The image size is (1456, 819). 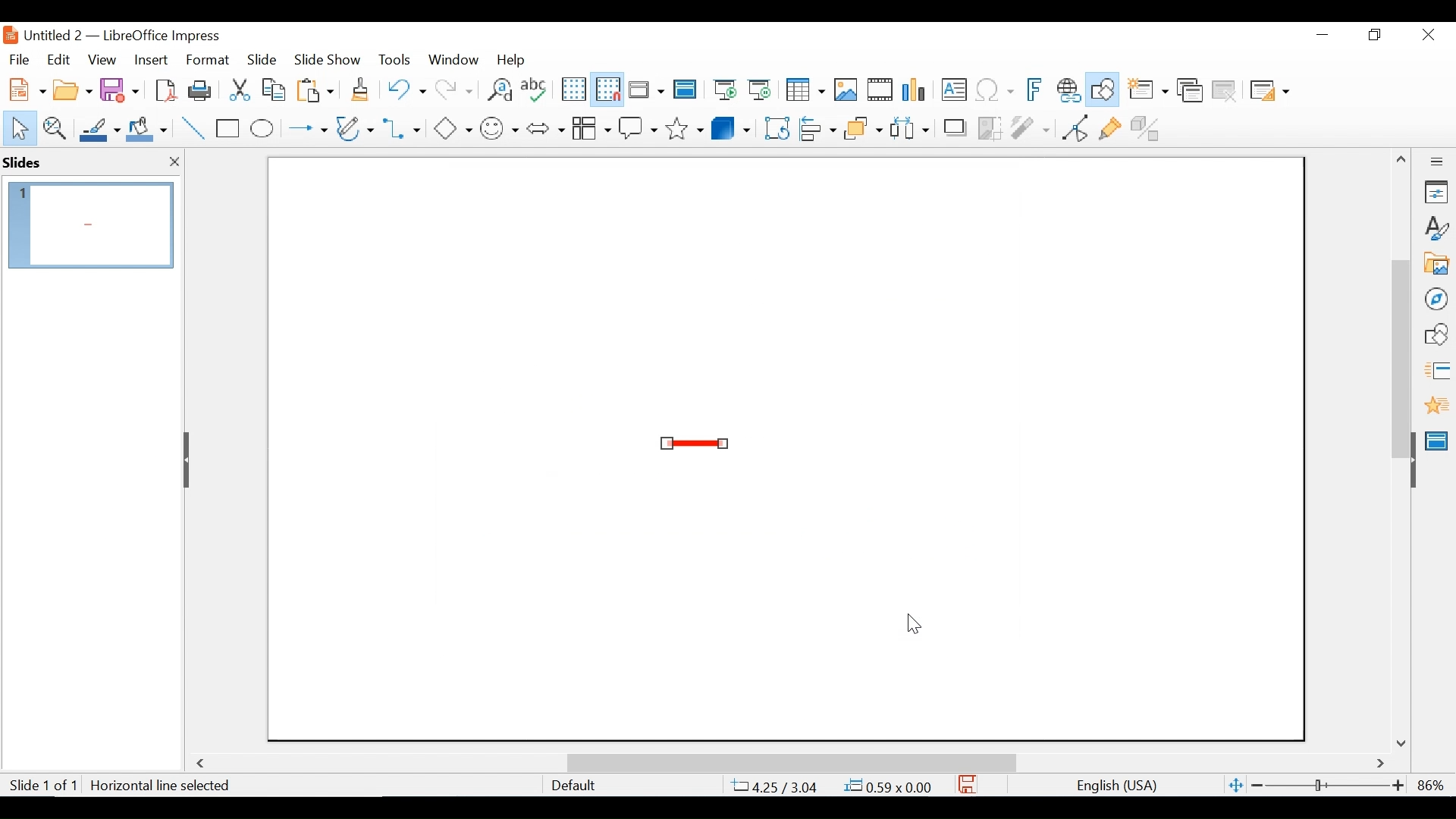 What do you see at coordinates (171, 163) in the screenshot?
I see `close` at bounding box center [171, 163].